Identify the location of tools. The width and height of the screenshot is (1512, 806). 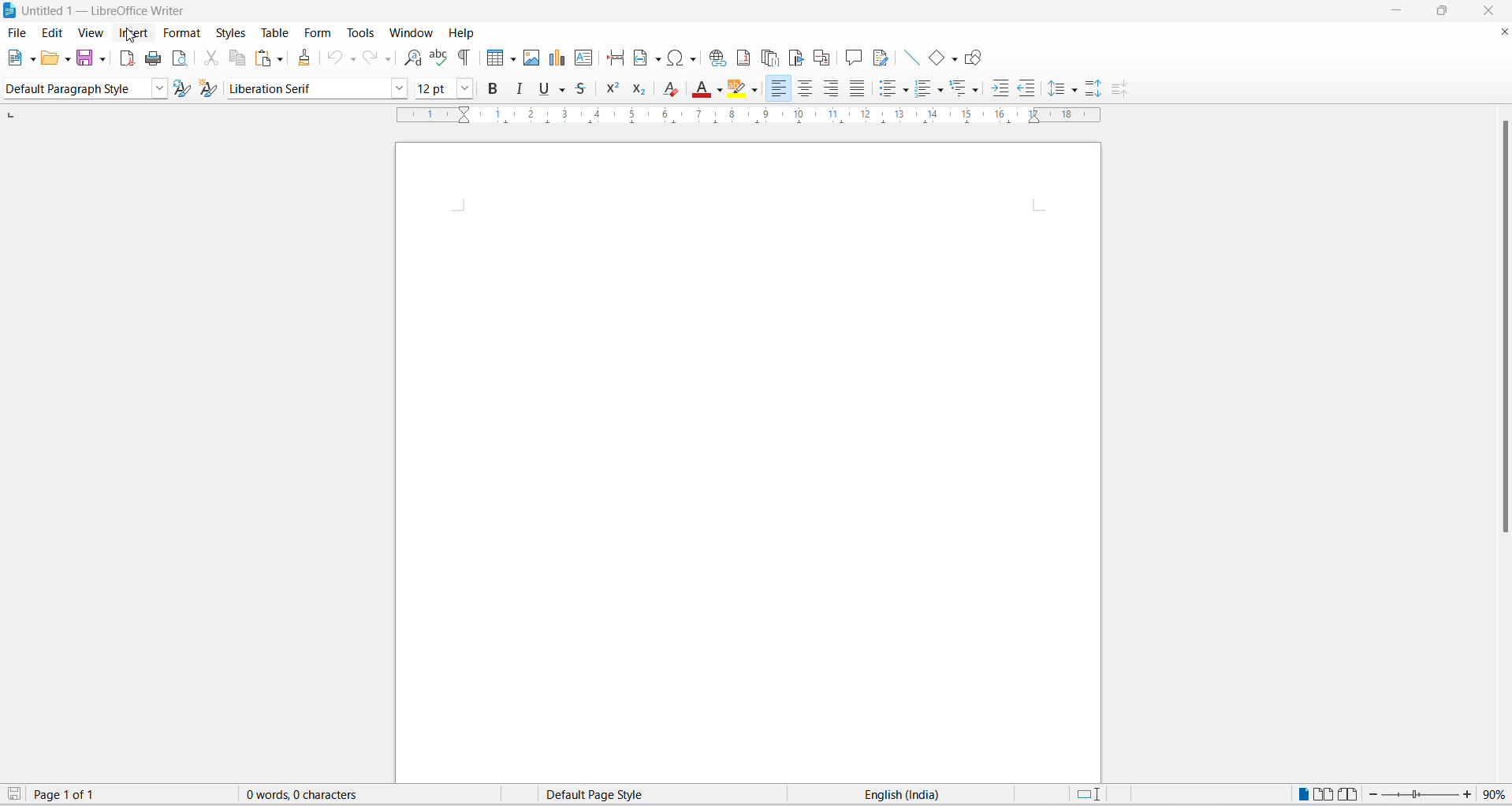
(362, 31).